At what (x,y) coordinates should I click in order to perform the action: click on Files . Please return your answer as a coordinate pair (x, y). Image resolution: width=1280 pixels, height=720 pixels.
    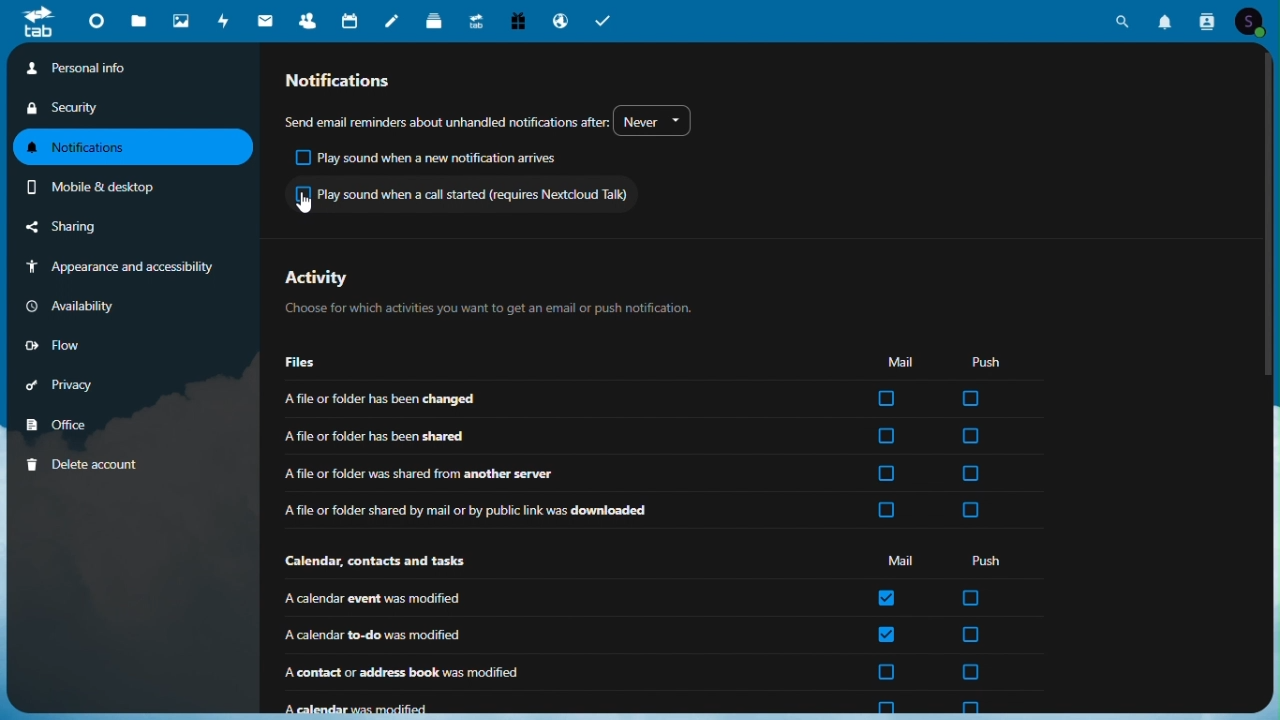
    Looking at the image, I should click on (307, 363).